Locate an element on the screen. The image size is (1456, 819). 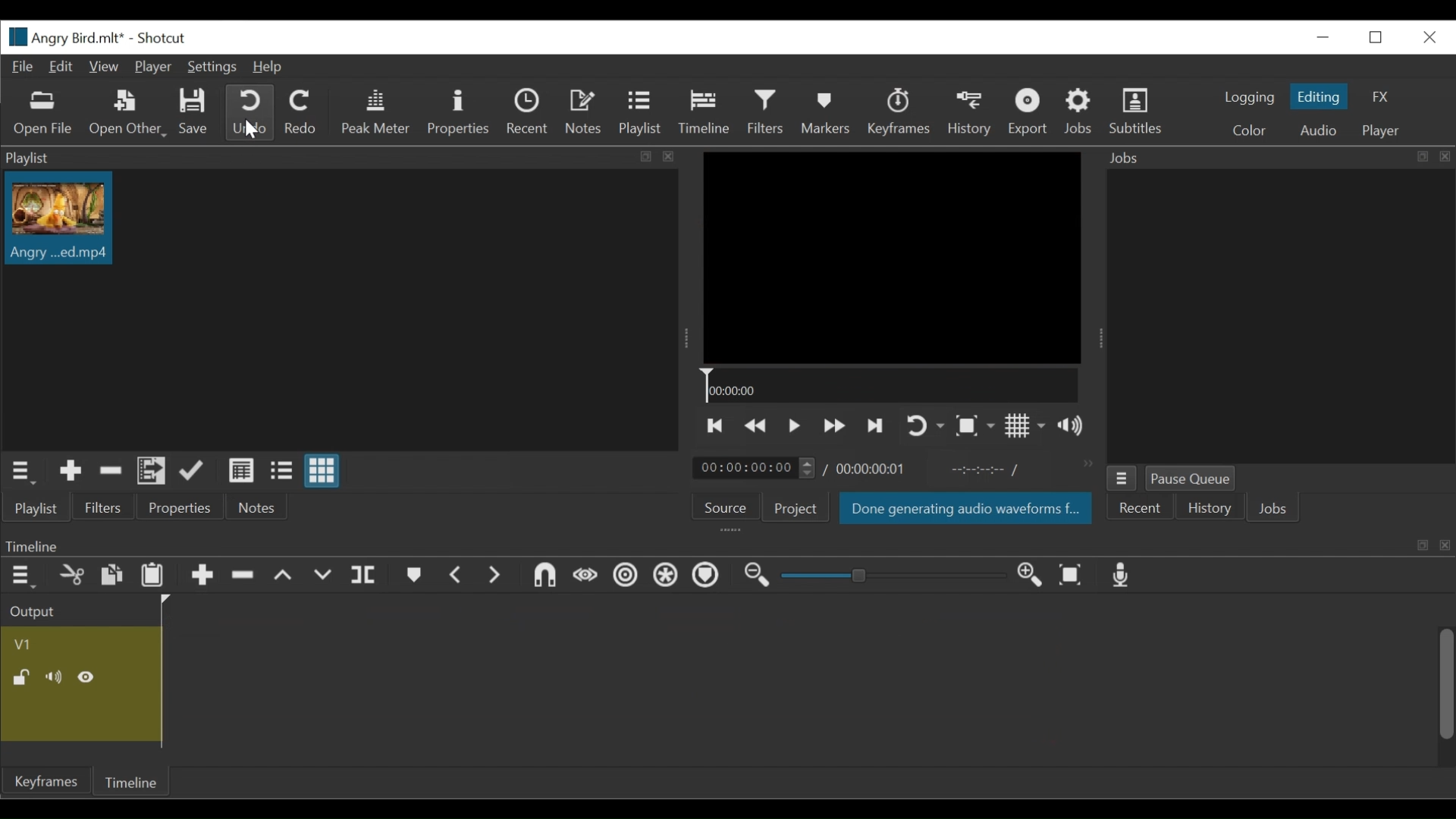
Saved is located at coordinates (966, 507).